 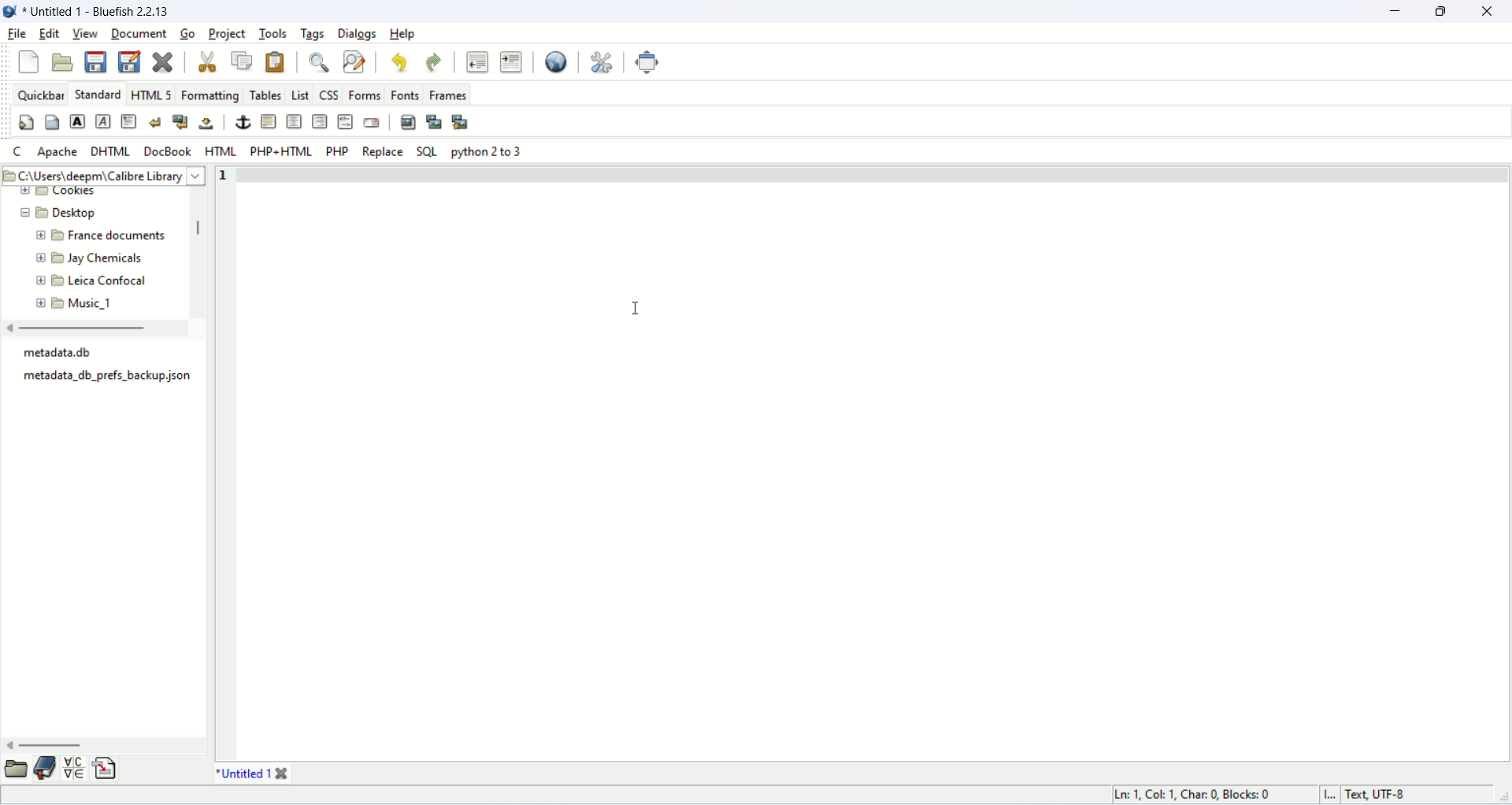 What do you see at coordinates (190, 33) in the screenshot?
I see `go` at bounding box center [190, 33].